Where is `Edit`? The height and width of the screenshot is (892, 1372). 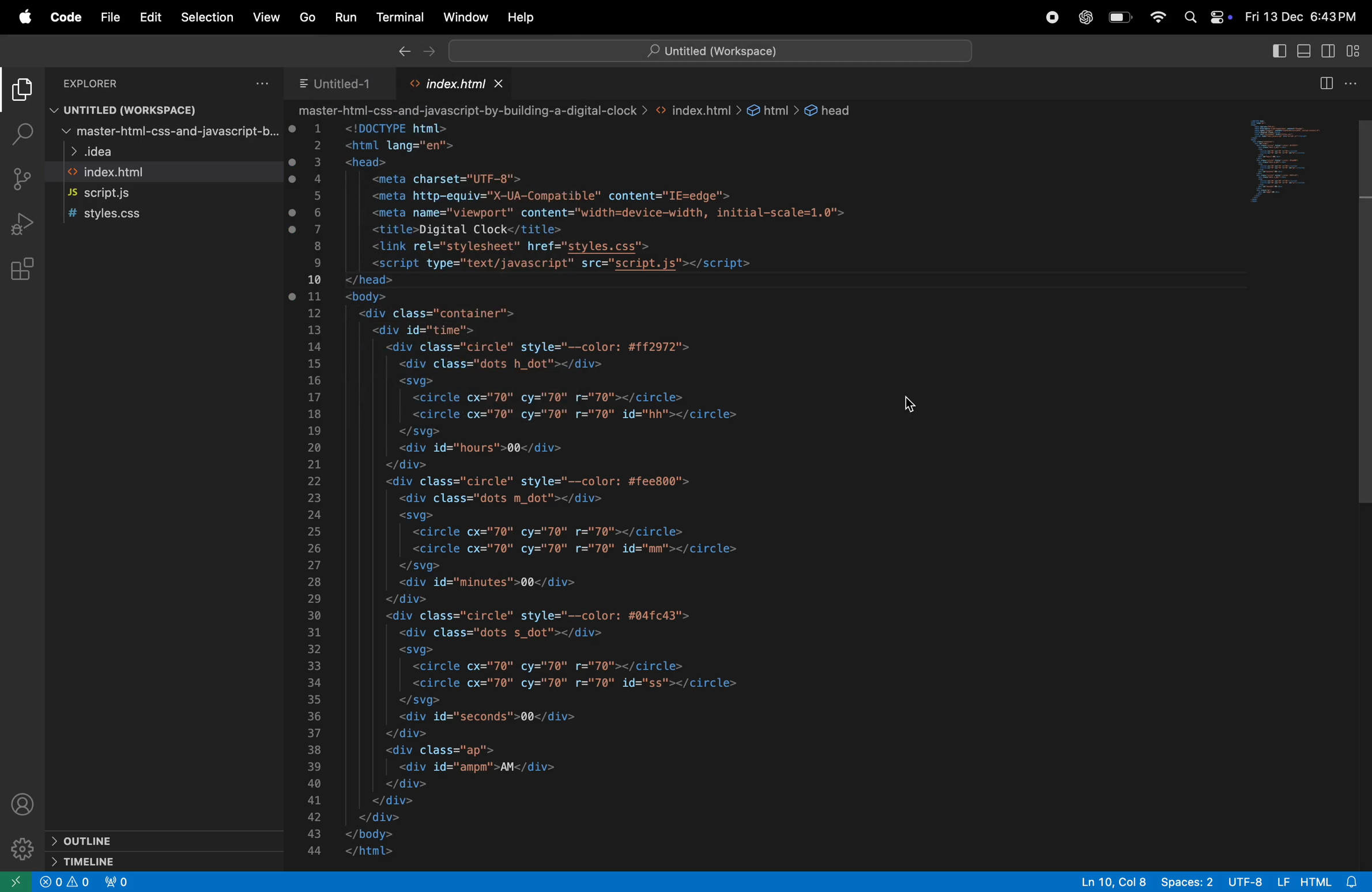 Edit is located at coordinates (151, 17).